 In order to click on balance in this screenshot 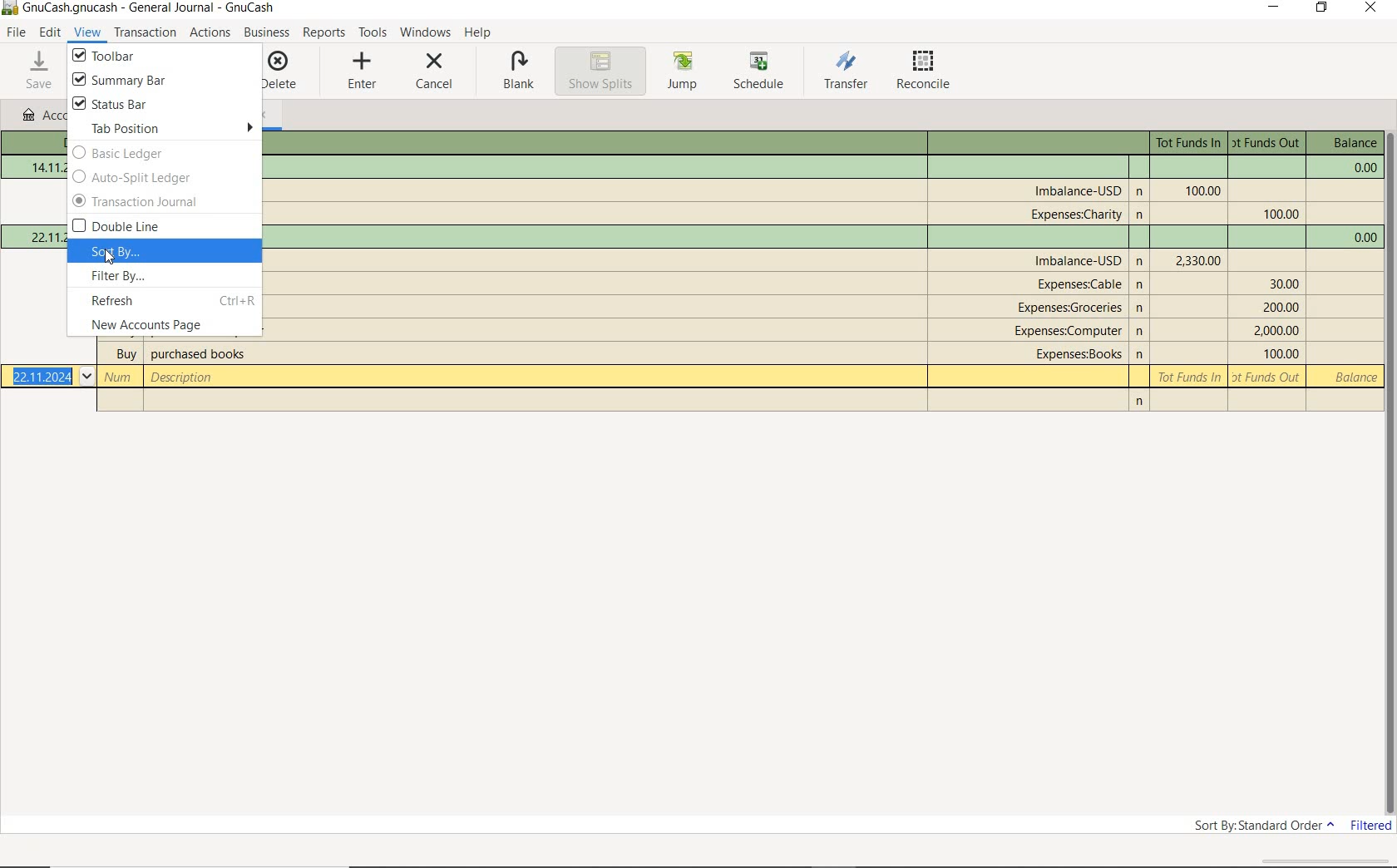, I will do `click(1353, 378)`.